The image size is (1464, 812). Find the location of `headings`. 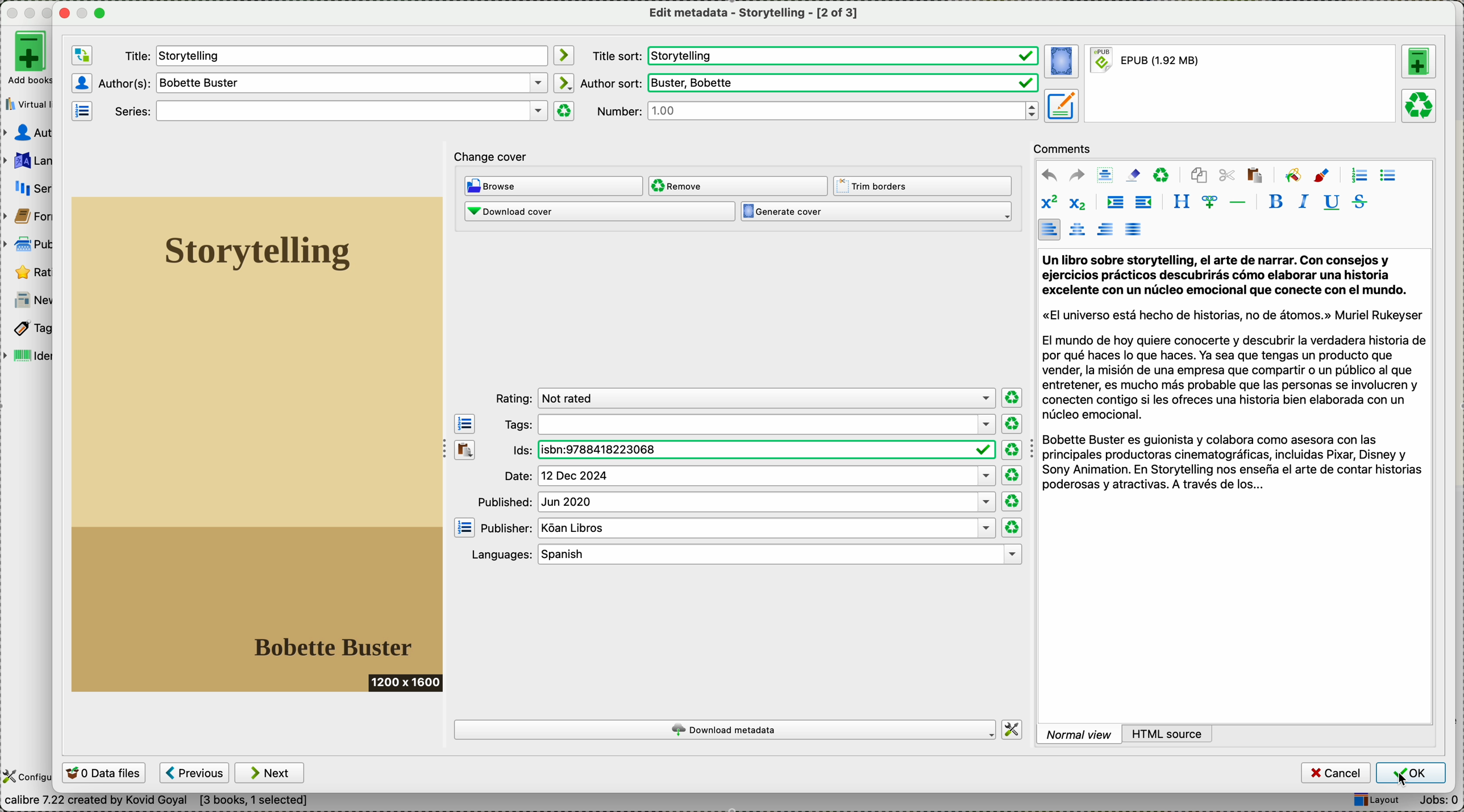

headings is located at coordinates (1182, 202).